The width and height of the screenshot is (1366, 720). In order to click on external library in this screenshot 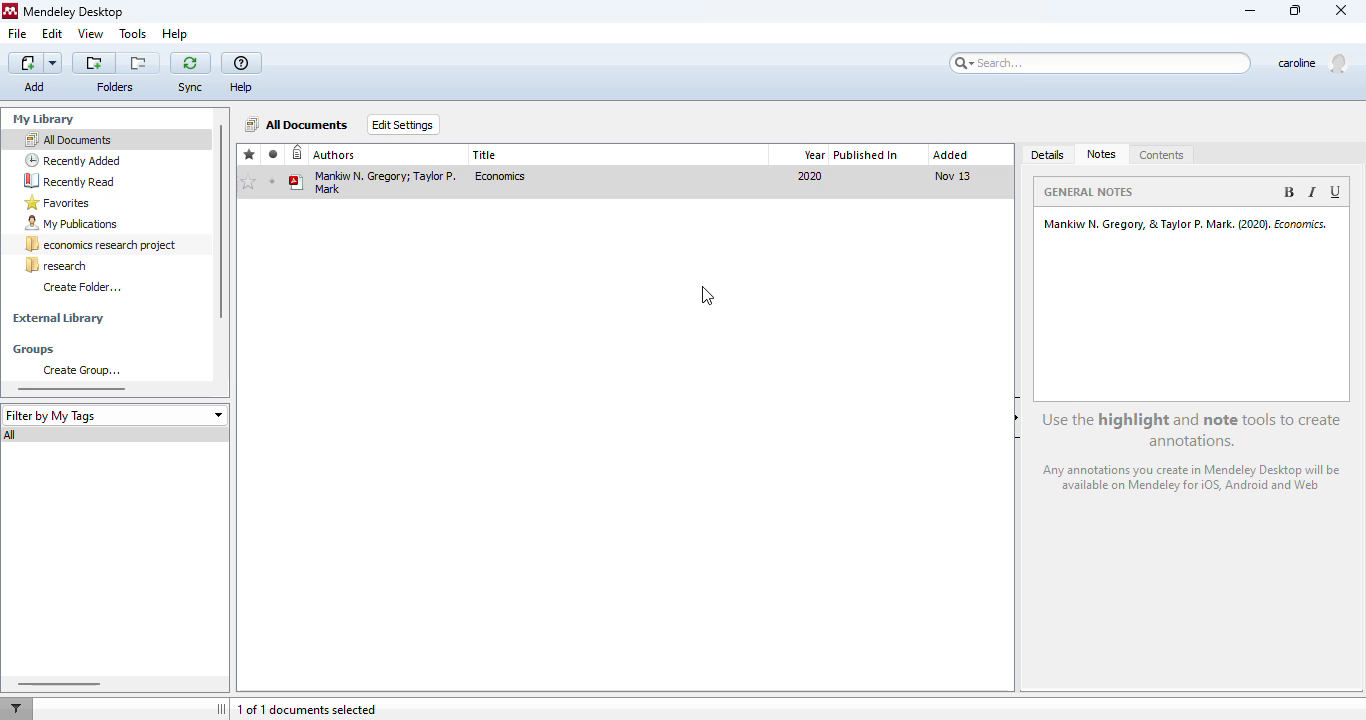, I will do `click(58, 319)`.